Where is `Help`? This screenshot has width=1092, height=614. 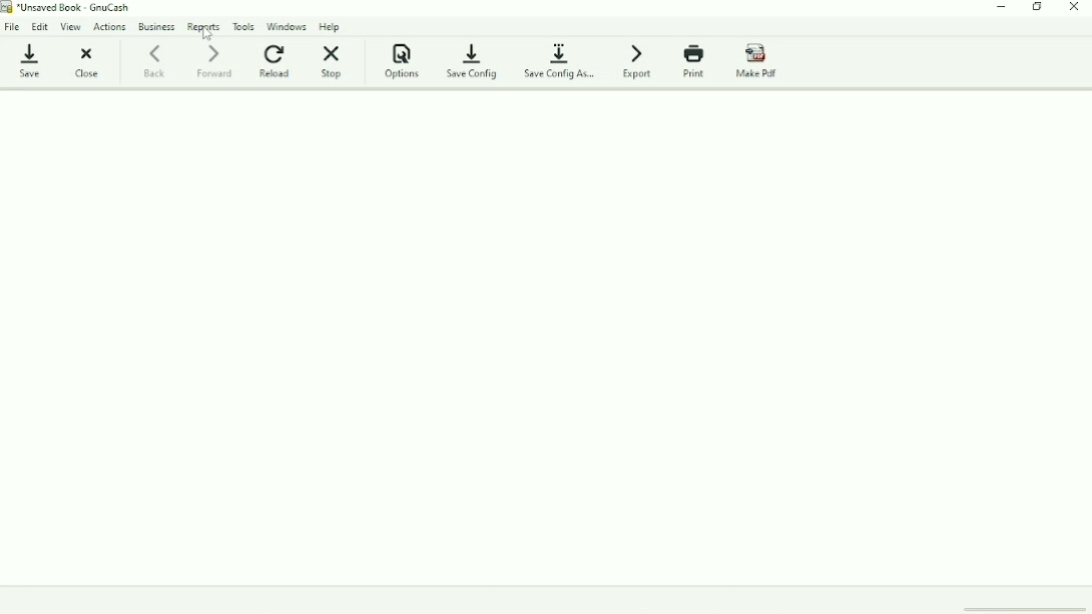 Help is located at coordinates (331, 26).